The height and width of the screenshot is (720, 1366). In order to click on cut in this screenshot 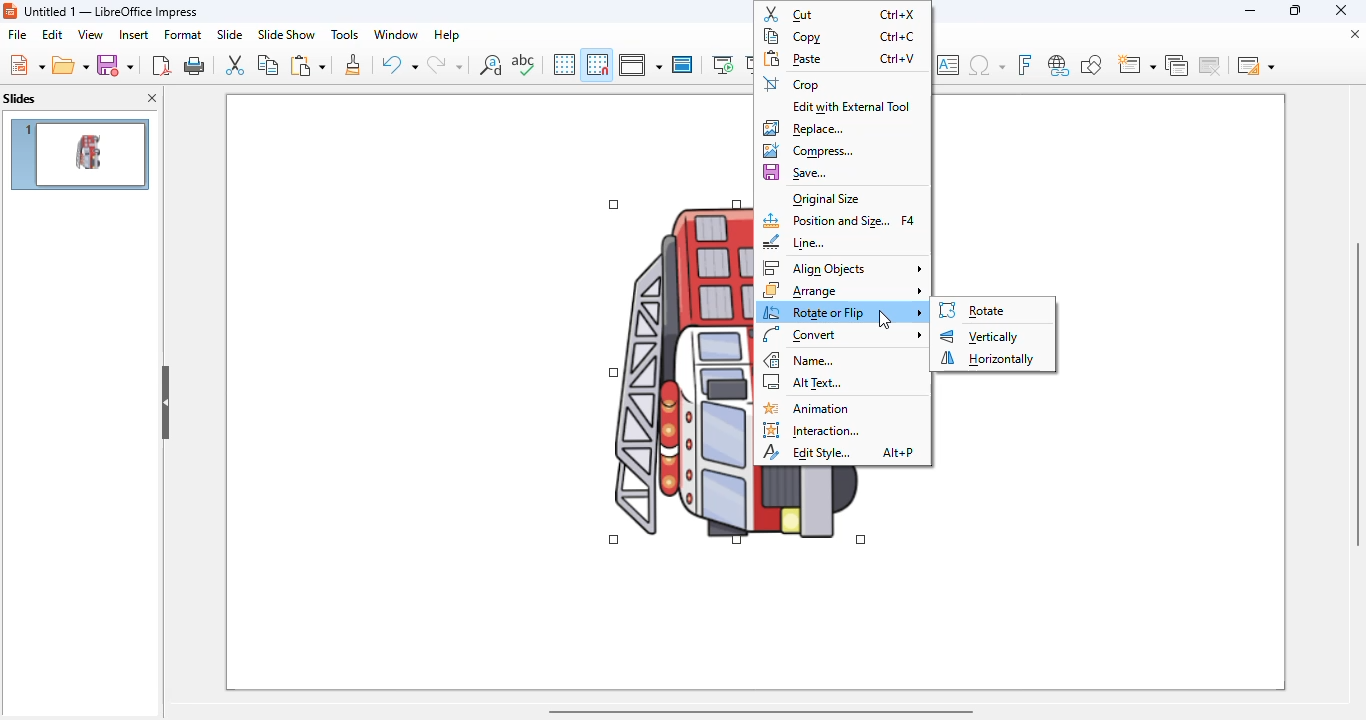, I will do `click(843, 14)`.